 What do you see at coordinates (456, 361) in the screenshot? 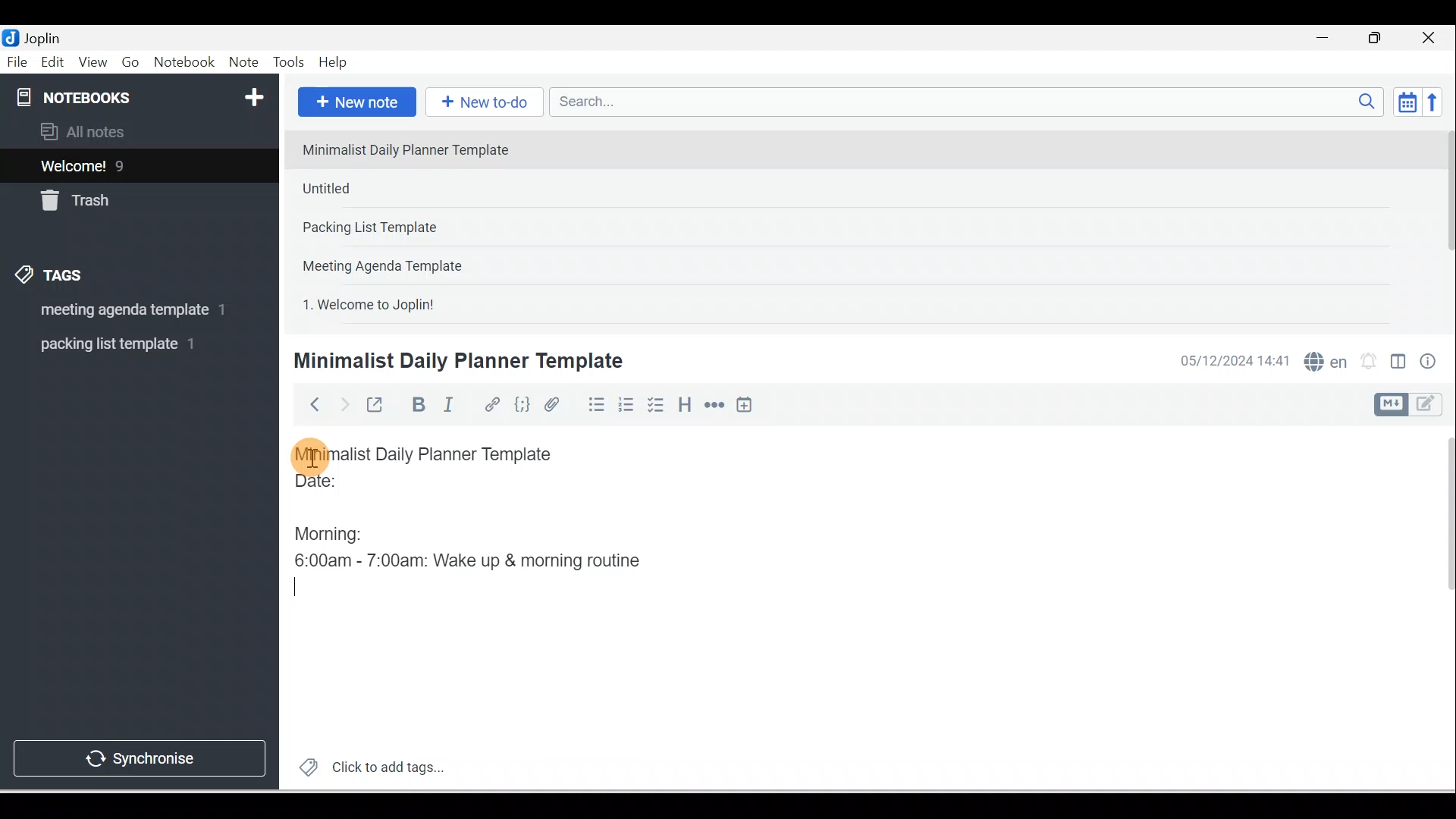
I see `Minimalist Daily Planner Template` at bounding box center [456, 361].